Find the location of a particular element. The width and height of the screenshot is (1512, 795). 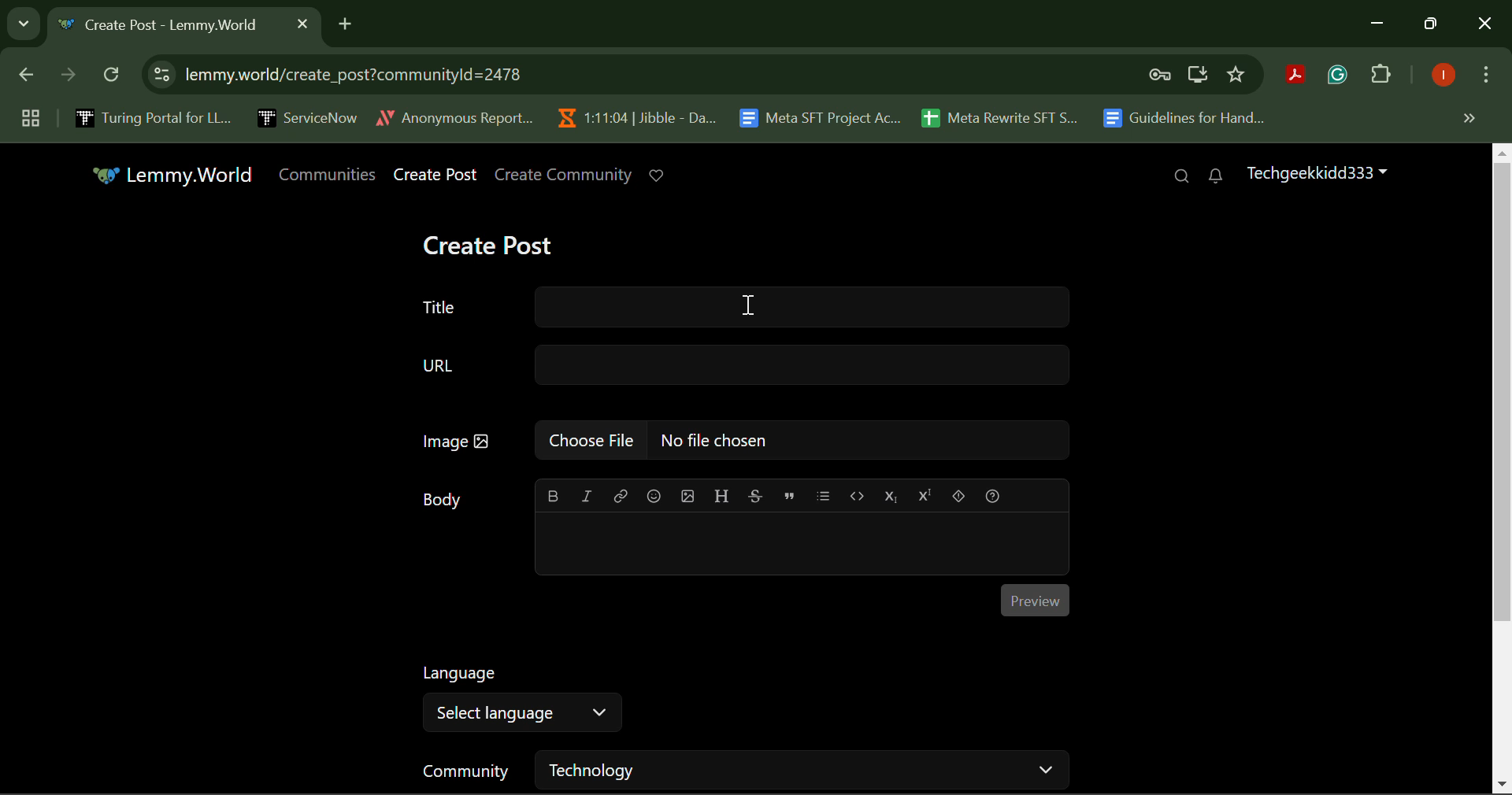

Logged In User is located at coordinates (1440, 76).